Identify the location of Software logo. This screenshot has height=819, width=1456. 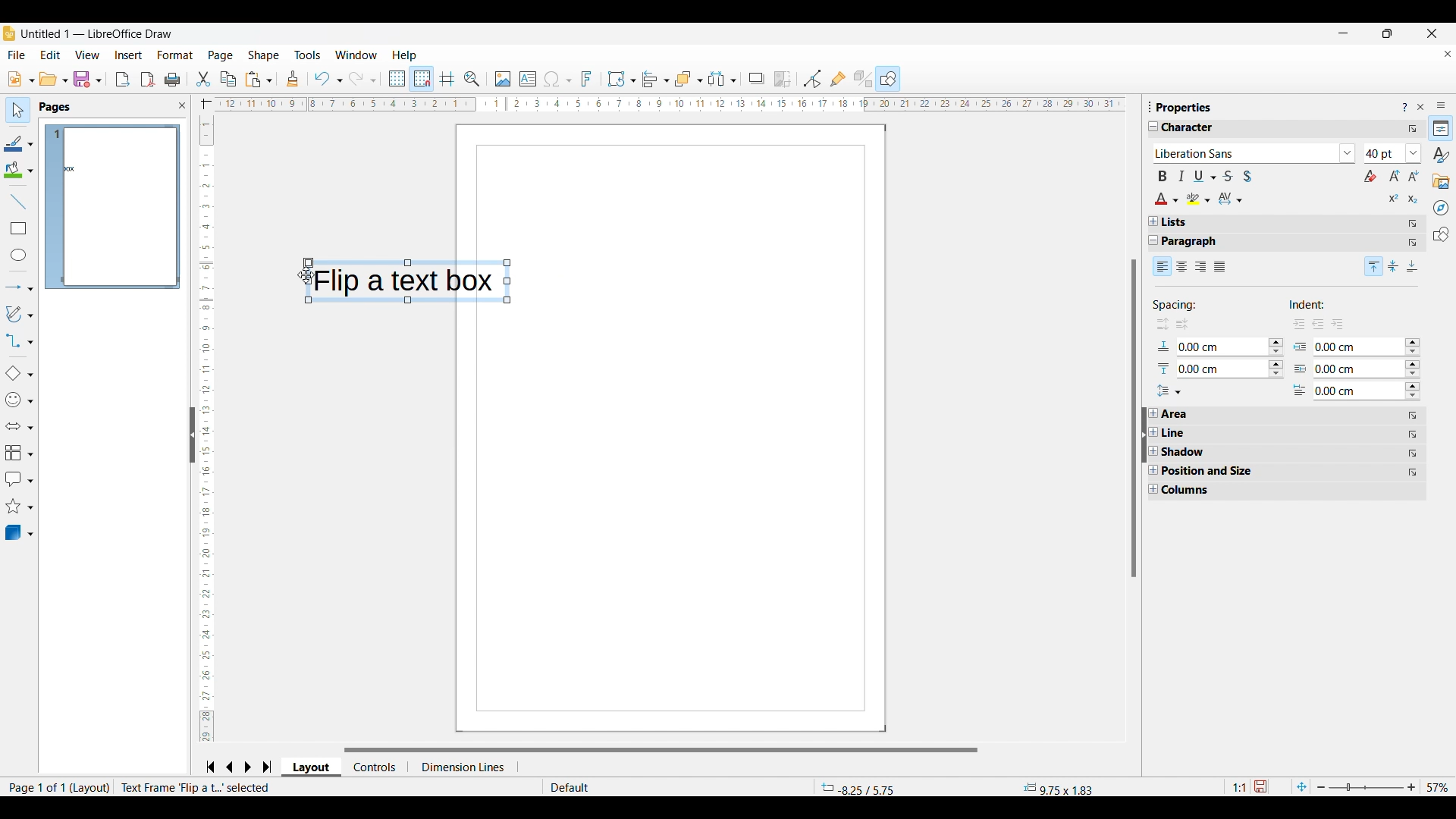
(9, 33).